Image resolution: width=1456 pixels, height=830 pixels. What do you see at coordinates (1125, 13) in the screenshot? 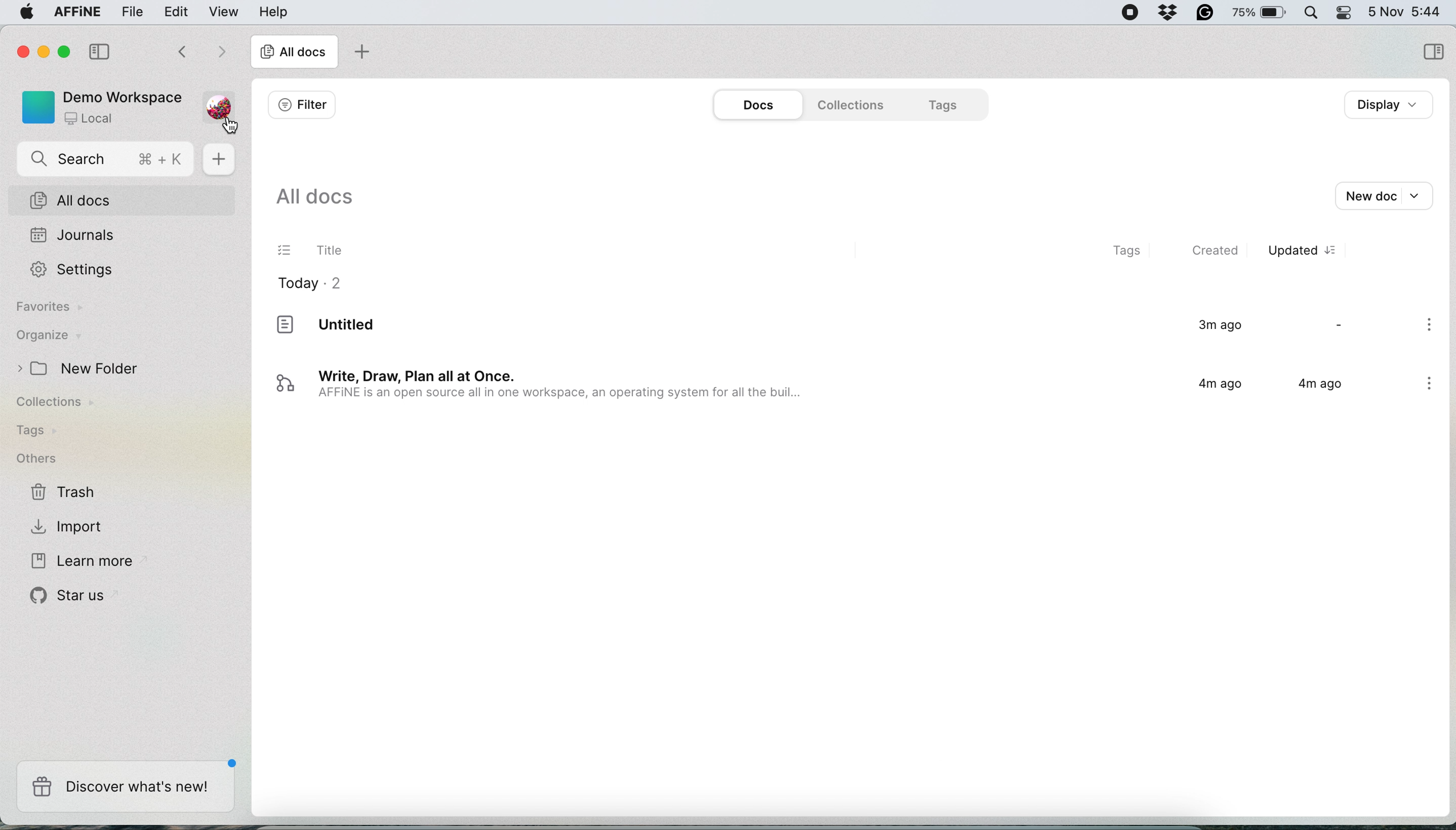
I see `screen recorder` at bounding box center [1125, 13].